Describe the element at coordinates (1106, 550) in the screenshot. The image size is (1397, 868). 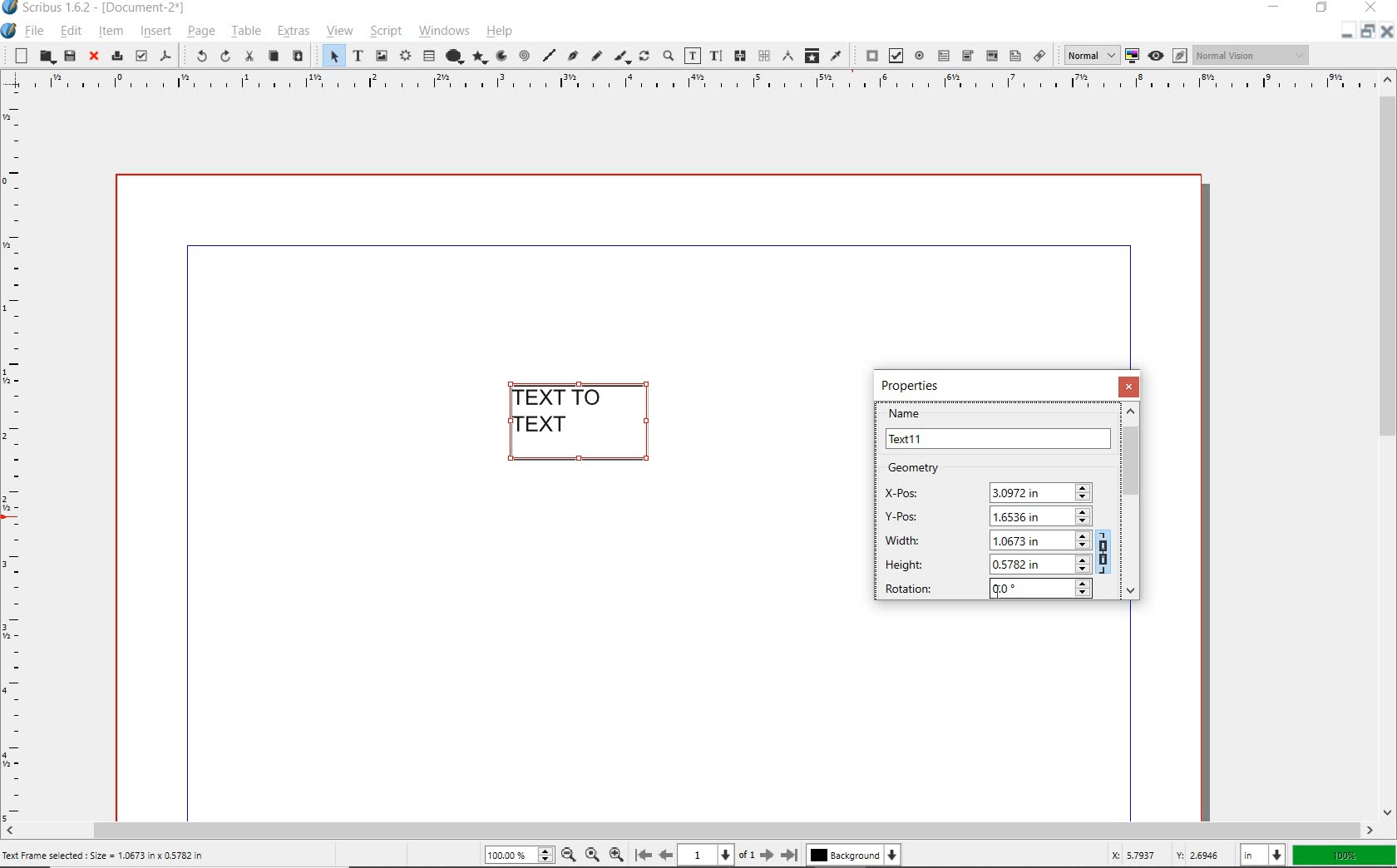
I see `KEEP THE ASPECT RATIO` at that location.